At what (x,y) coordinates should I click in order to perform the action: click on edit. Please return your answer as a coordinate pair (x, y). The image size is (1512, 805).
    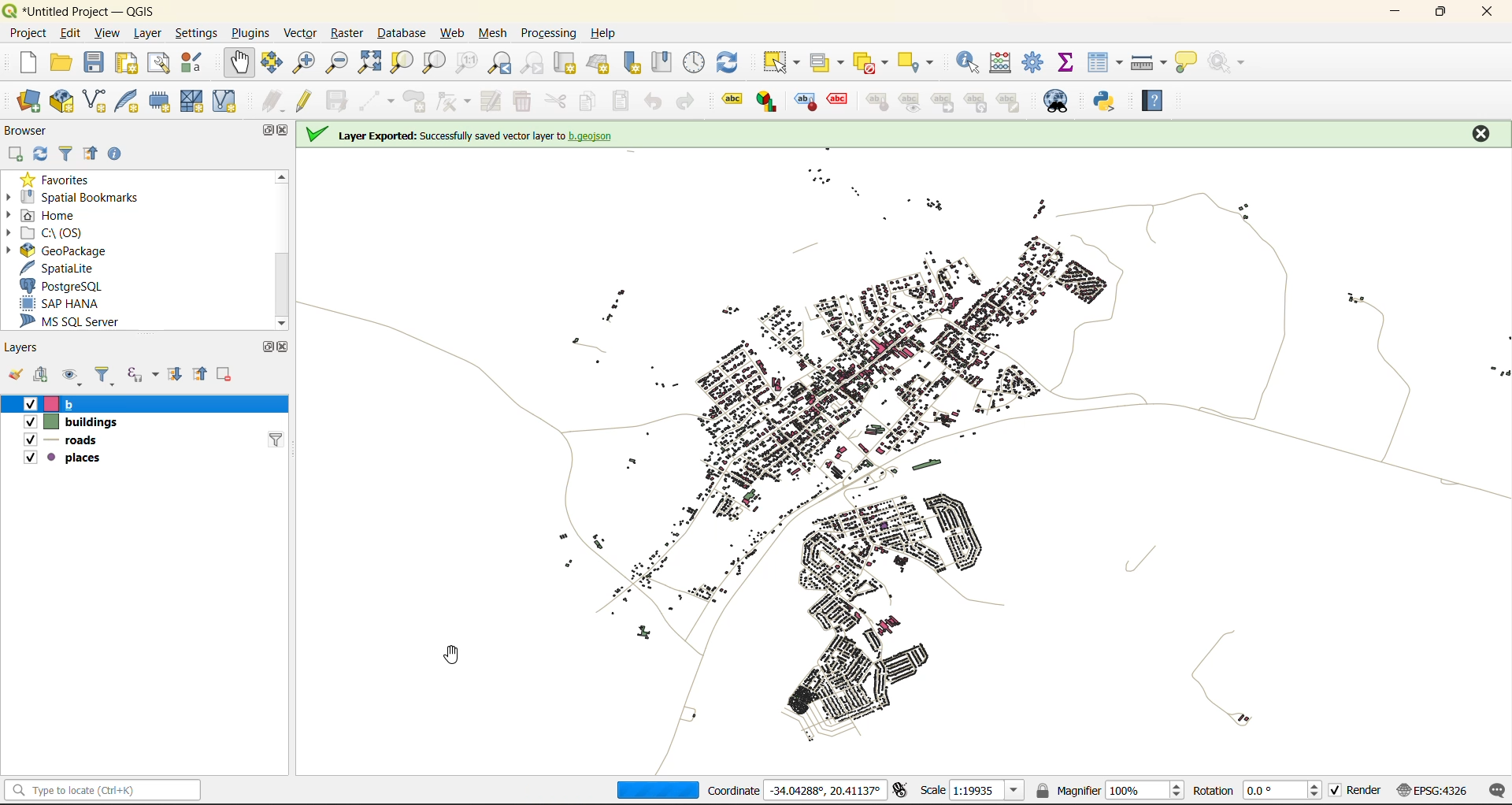
    Looking at the image, I should click on (70, 32).